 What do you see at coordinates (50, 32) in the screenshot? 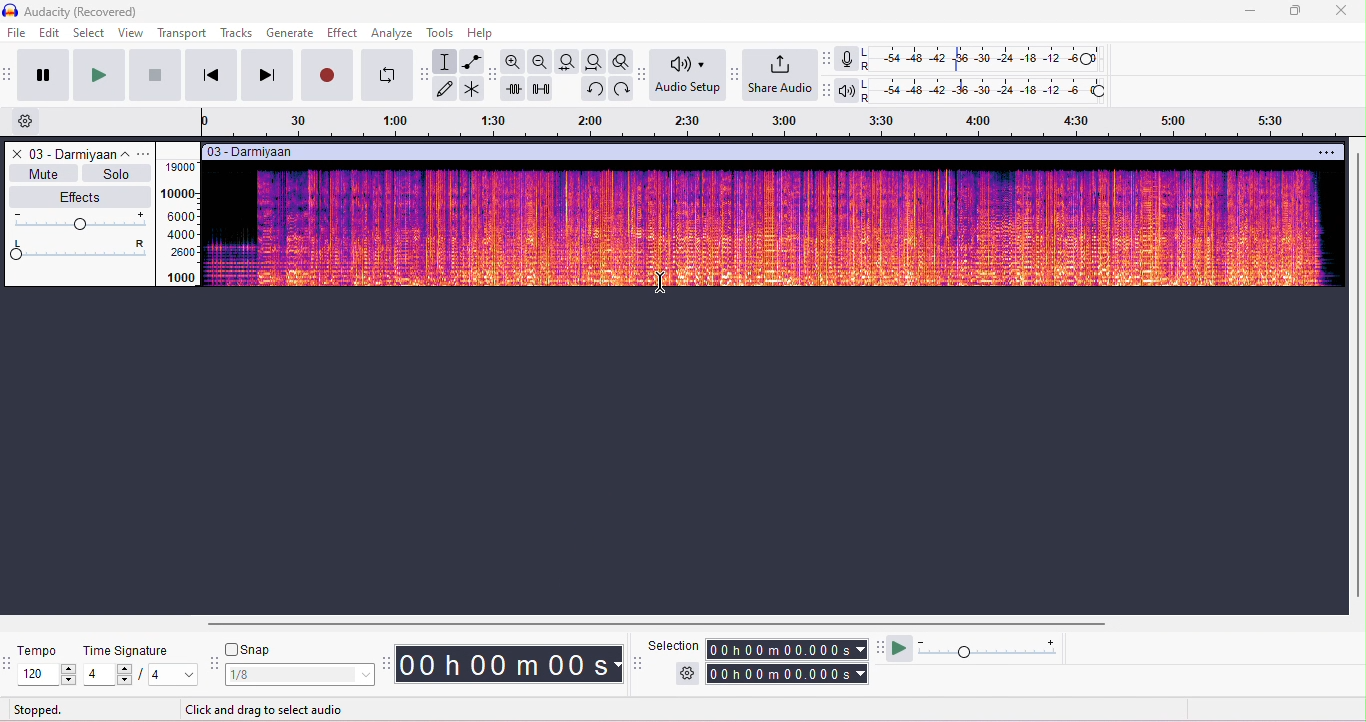
I see `edit` at bounding box center [50, 32].